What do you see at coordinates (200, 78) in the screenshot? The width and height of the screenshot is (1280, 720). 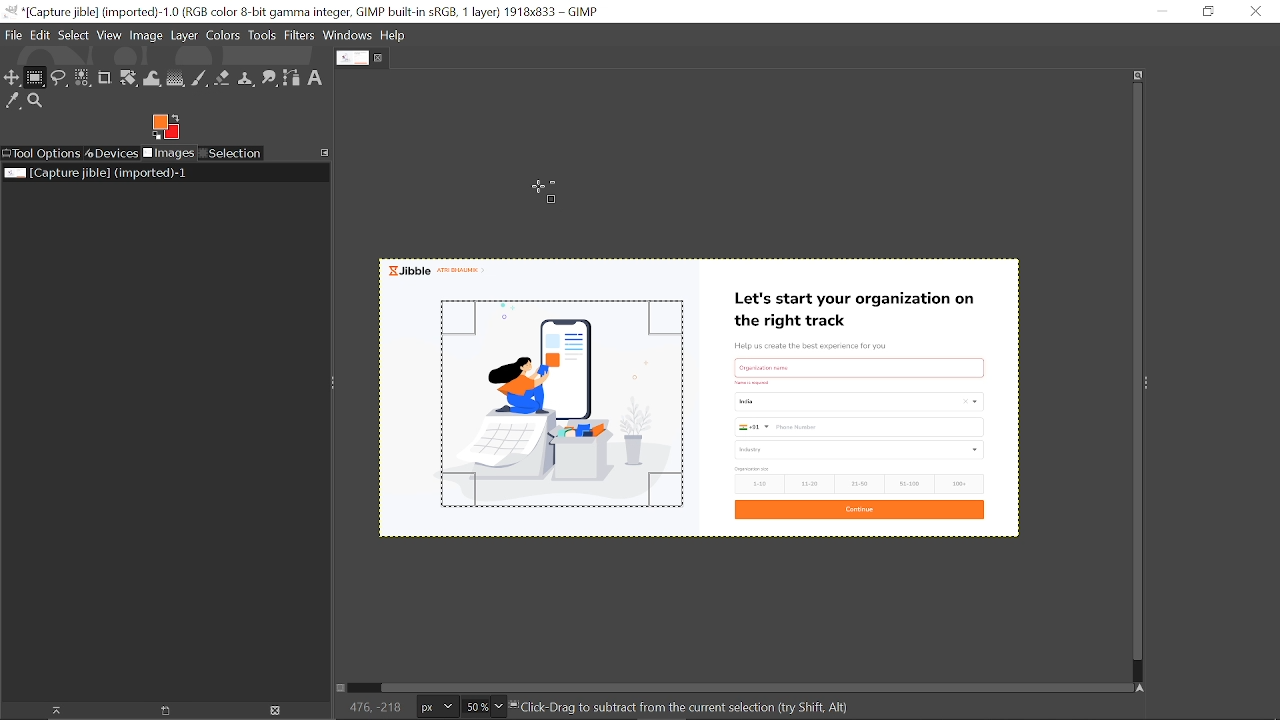 I see `Paintbrush tool` at bounding box center [200, 78].